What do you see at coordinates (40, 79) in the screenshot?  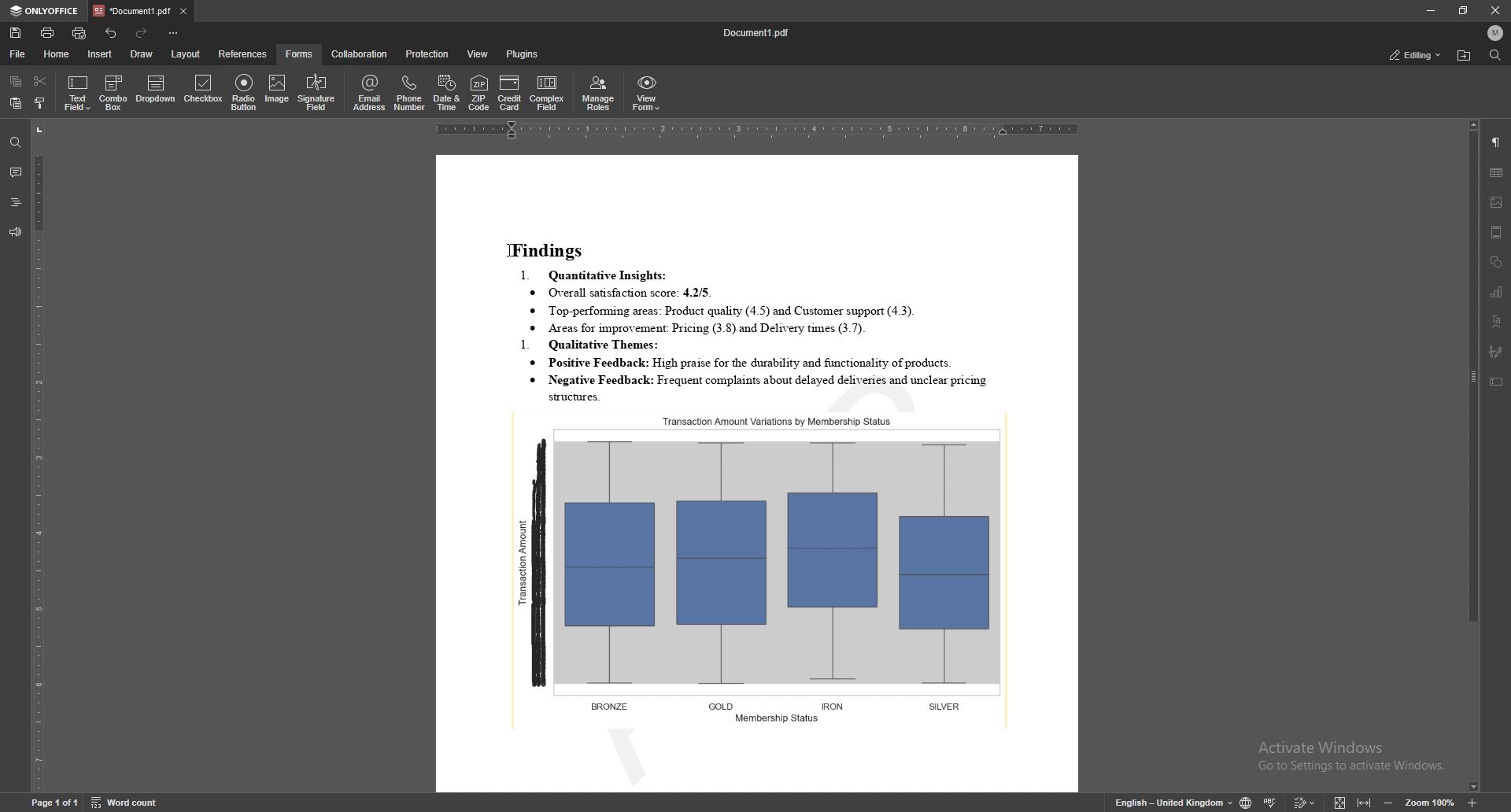 I see `cut` at bounding box center [40, 79].